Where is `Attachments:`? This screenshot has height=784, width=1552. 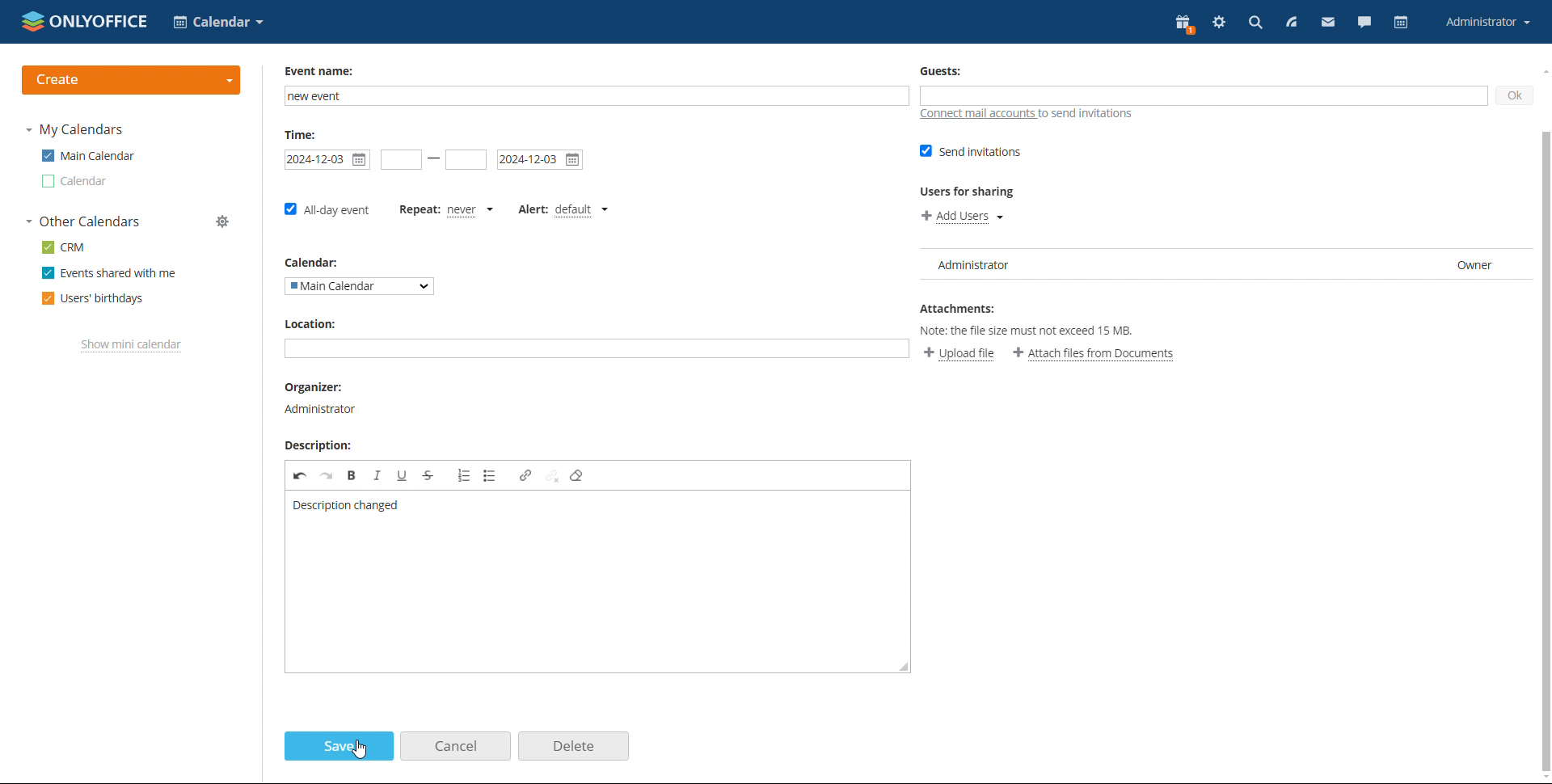 Attachments: is located at coordinates (958, 308).